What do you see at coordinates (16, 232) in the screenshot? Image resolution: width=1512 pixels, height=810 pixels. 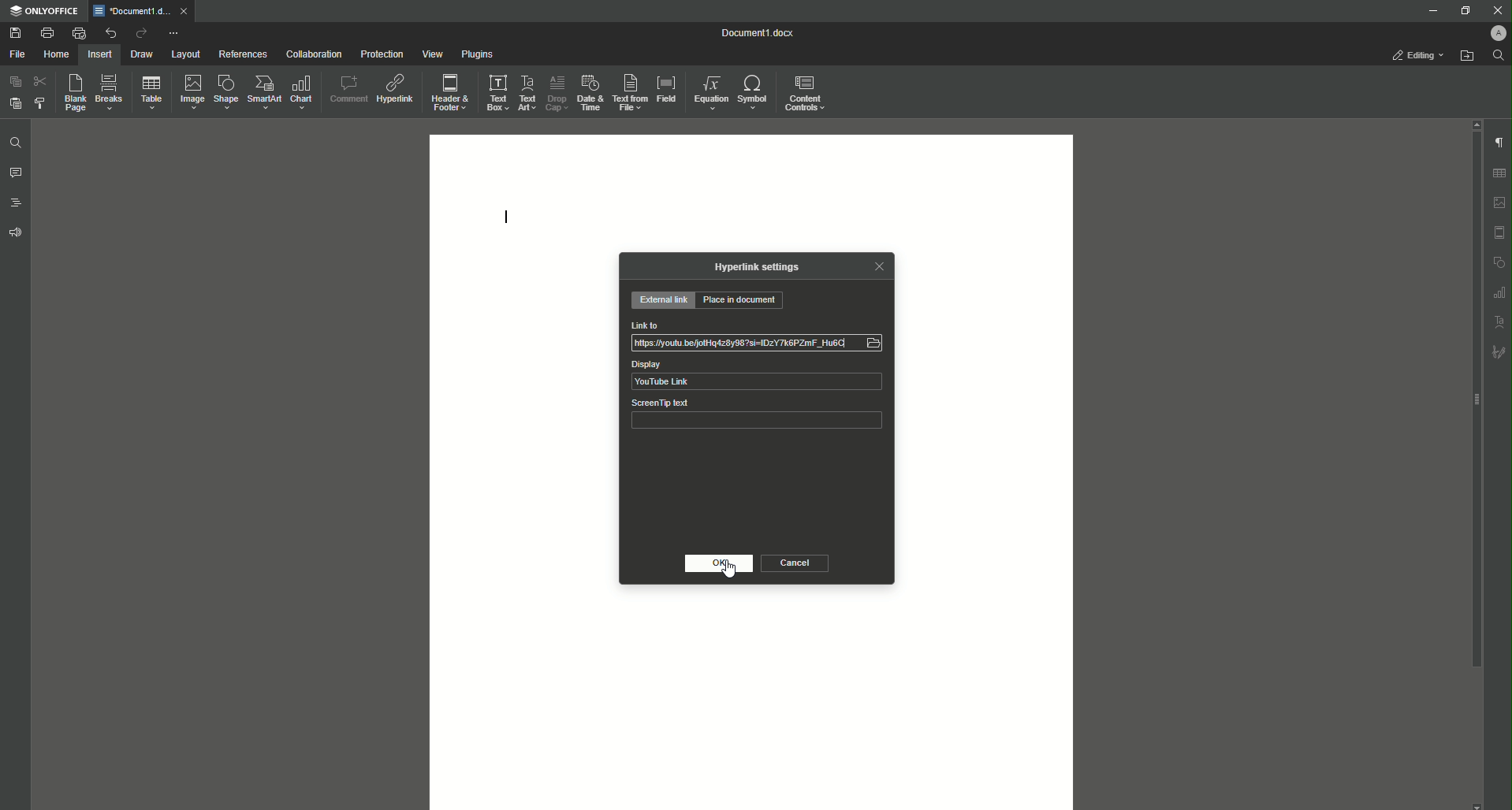 I see `Feedback` at bounding box center [16, 232].